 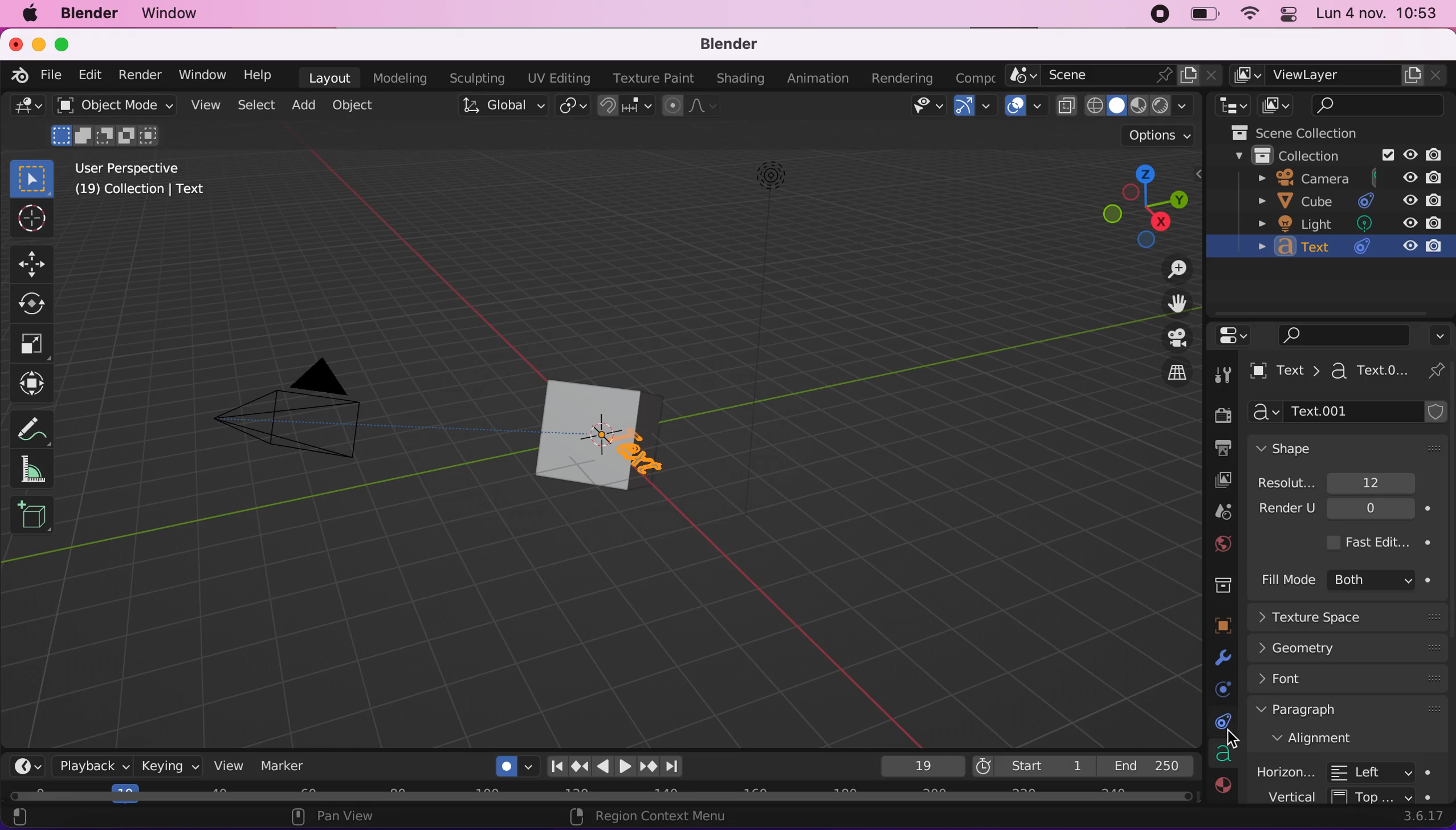 I want to click on vertical, so click(x=1355, y=795).